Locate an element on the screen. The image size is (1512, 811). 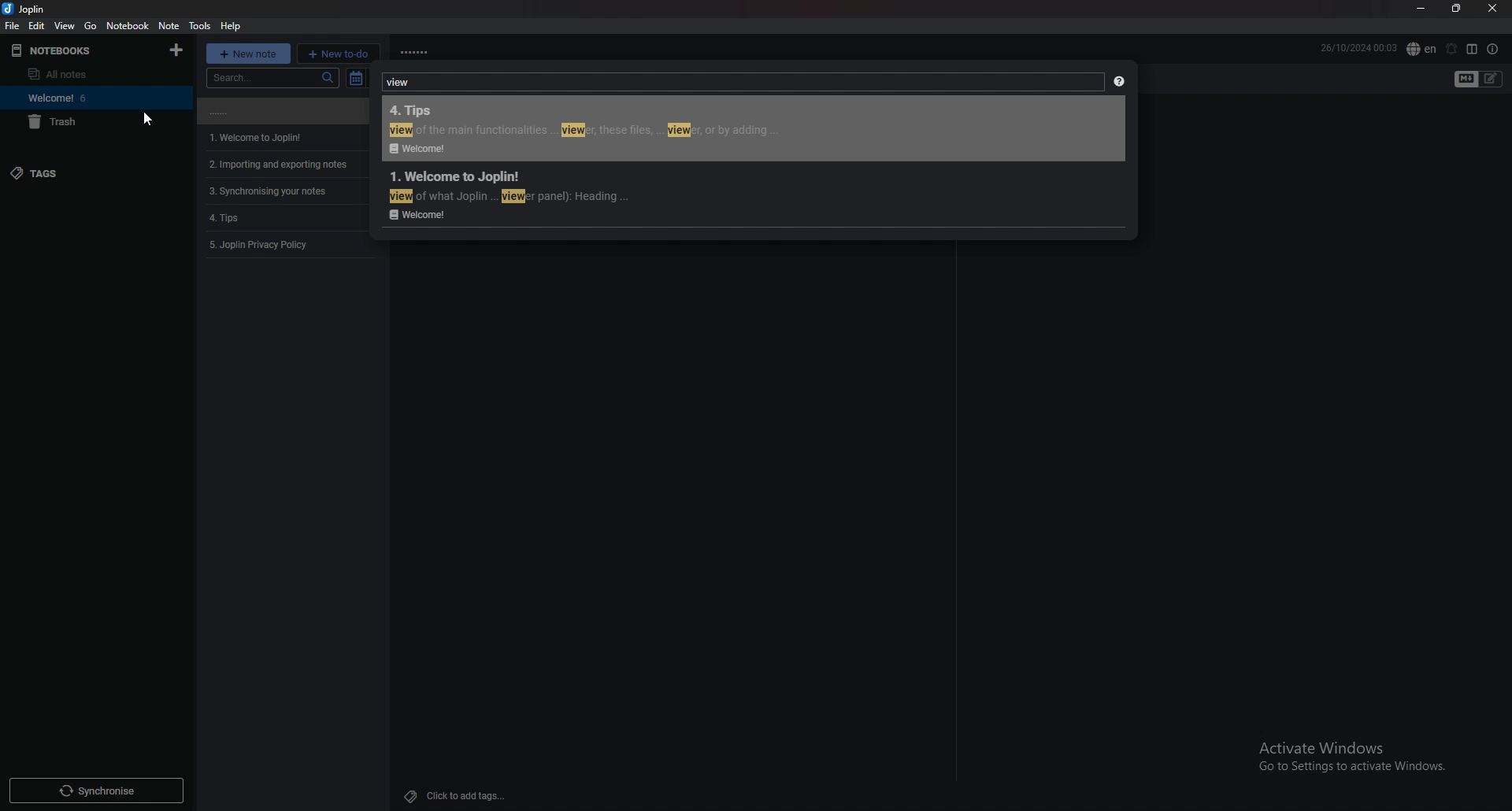
search result is located at coordinates (750, 128).